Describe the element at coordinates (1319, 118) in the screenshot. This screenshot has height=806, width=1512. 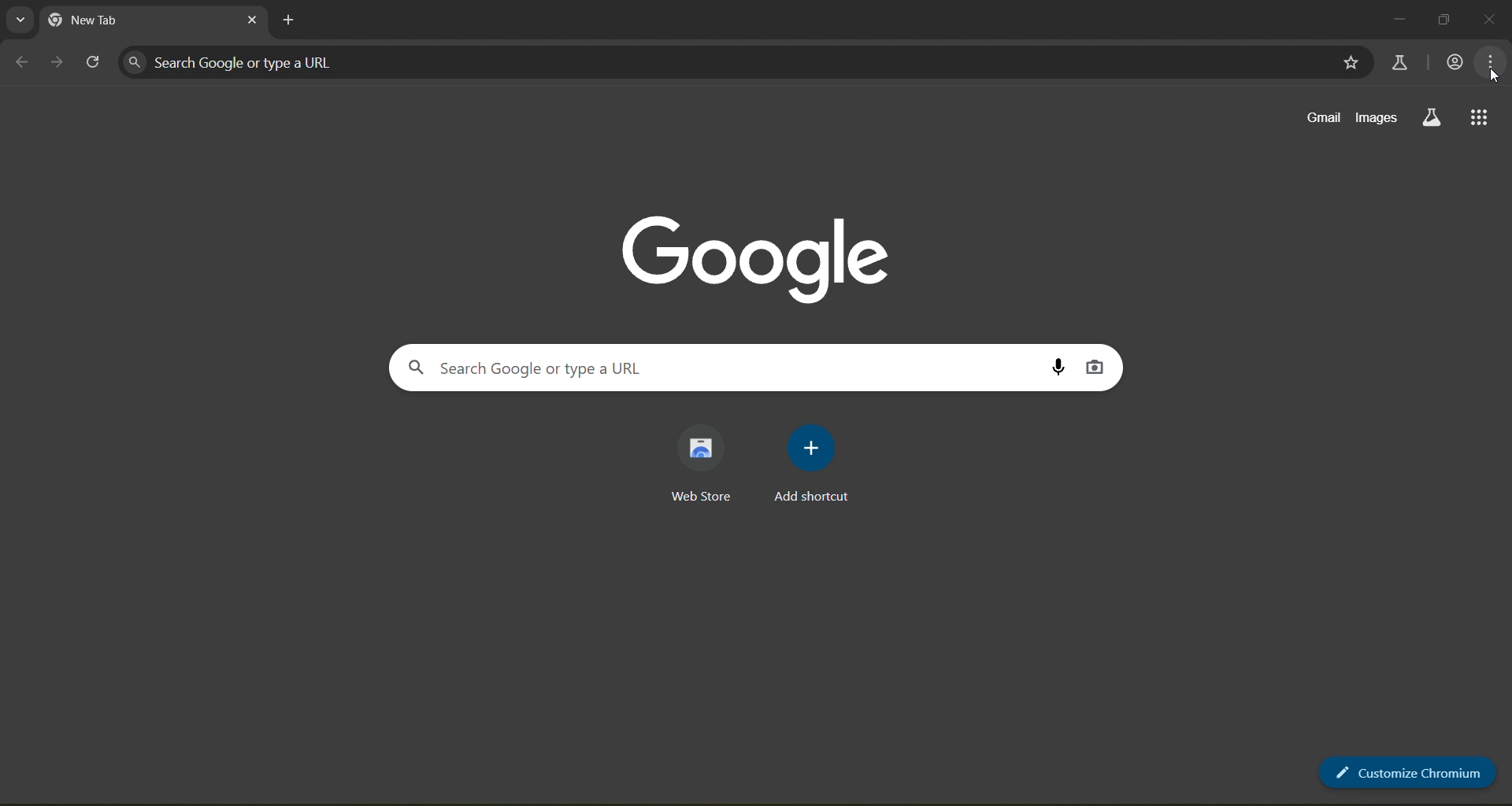
I see `gmail` at that location.